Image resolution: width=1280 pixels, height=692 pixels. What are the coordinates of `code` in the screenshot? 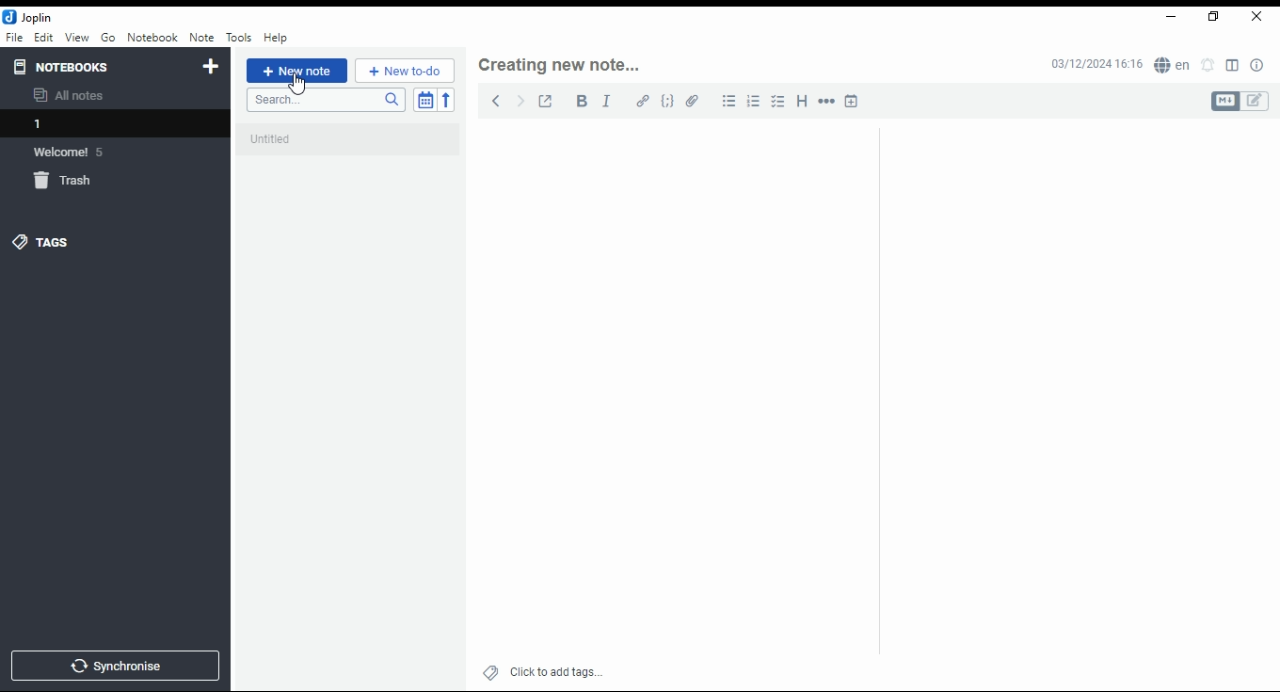 It's located at (667, 101).